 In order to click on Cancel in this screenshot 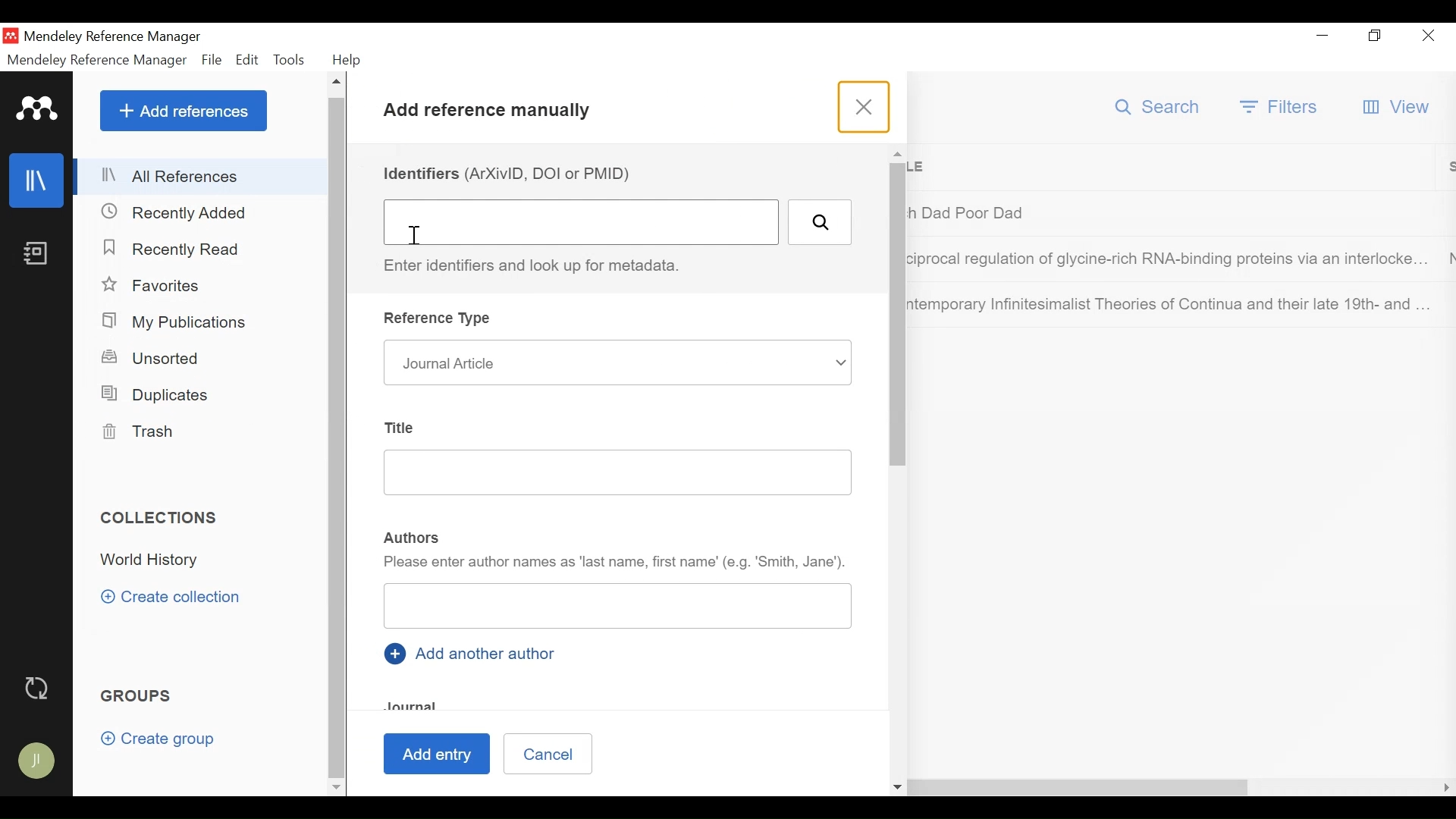, I will do `click(549, 754)`.